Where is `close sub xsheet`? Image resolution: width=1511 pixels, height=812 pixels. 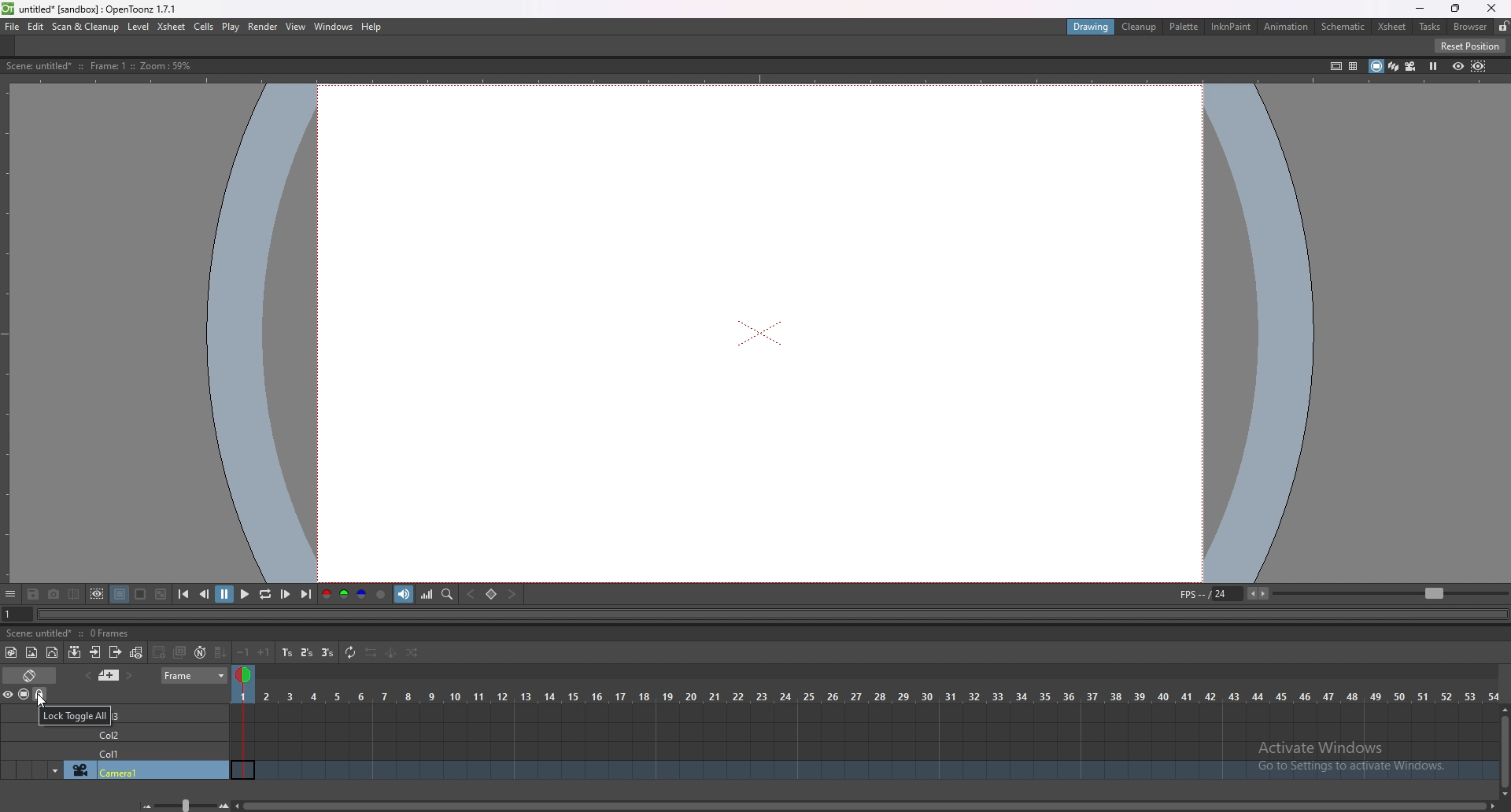 close sub xsheet is located at coordinates (116, 651).